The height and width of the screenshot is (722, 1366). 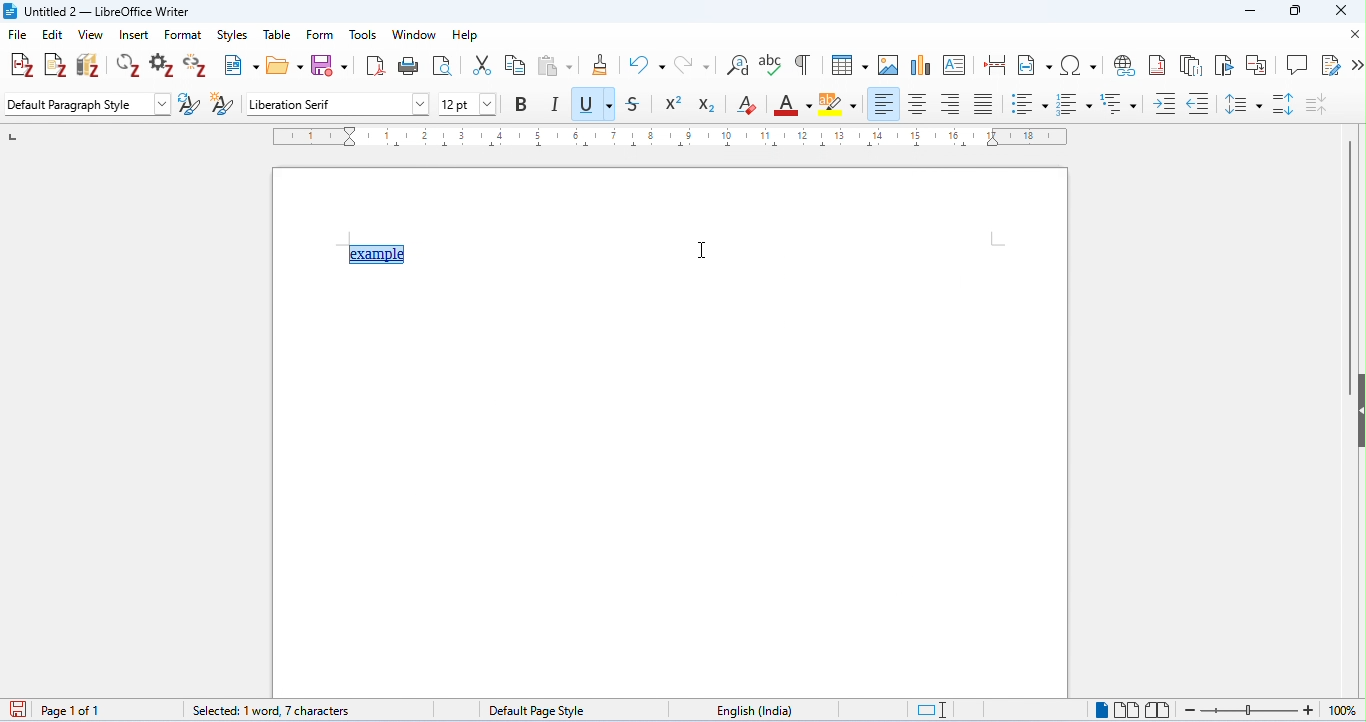 What do you see at coordinates (19, 35) in the screenshot?
I see `file` at bounding box center [19, 35].